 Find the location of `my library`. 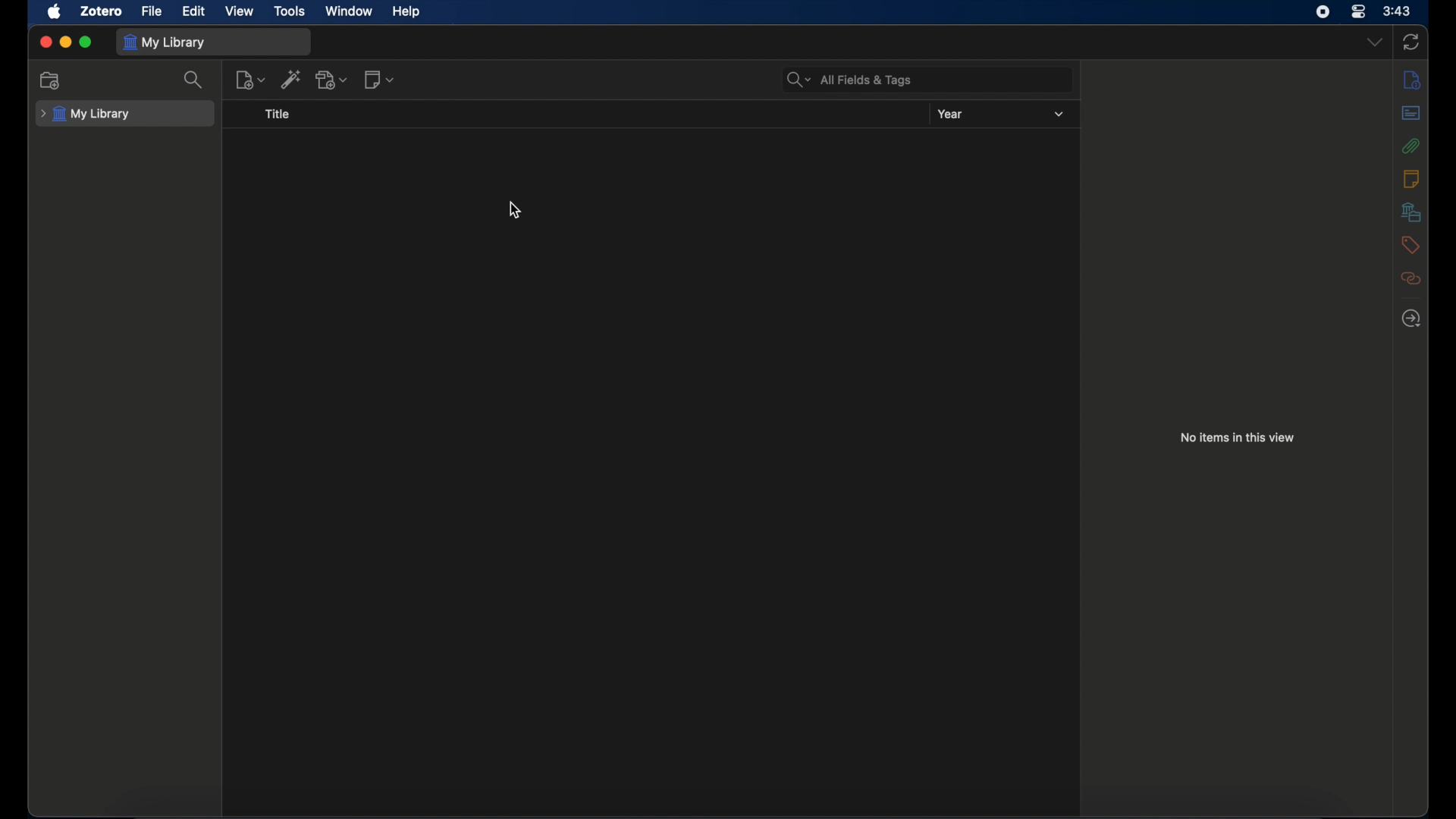

my library is located at coordinates (165, 42).